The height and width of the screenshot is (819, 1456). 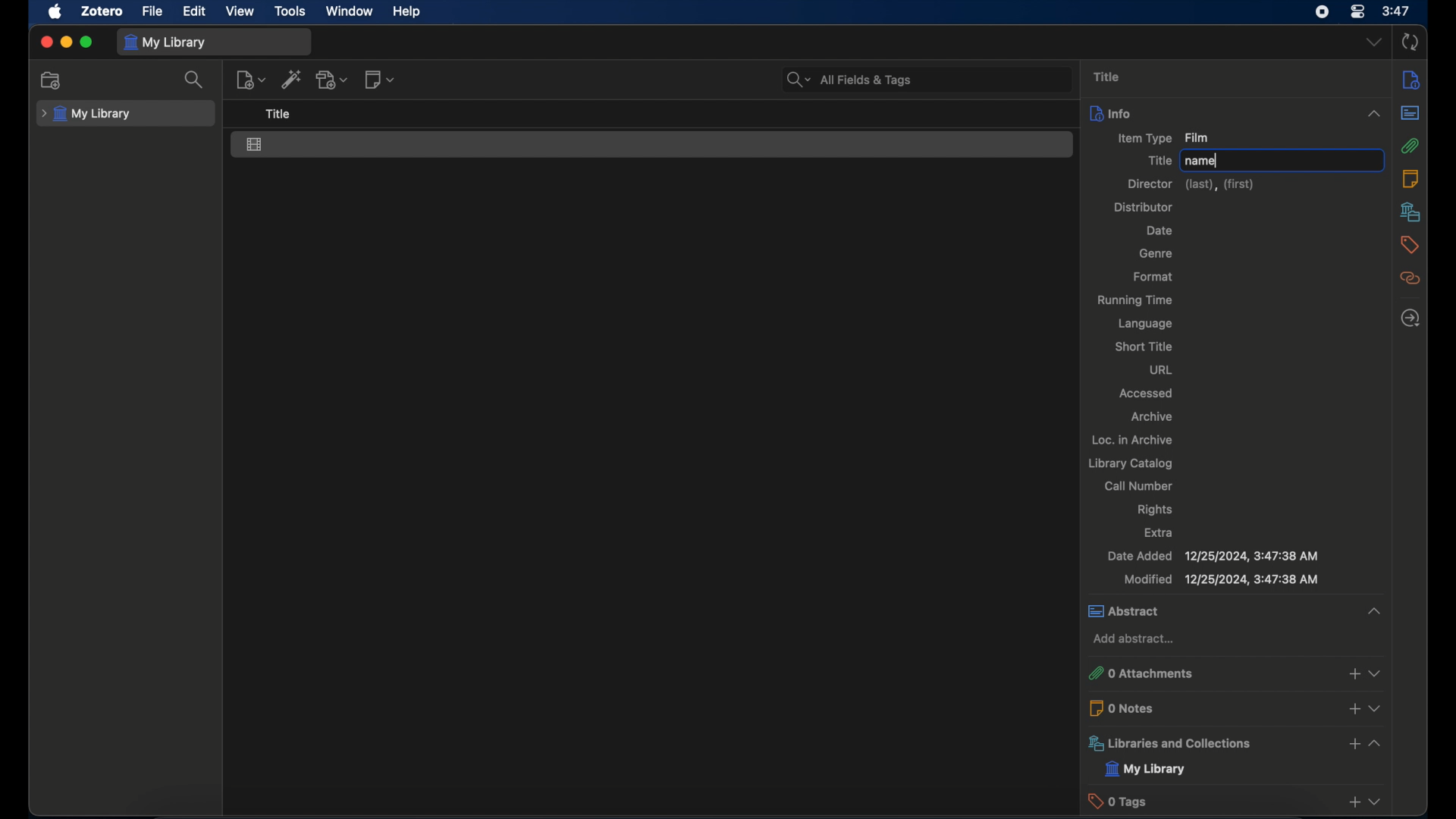 I want to click on distributor, so click(x=1144, y=207).